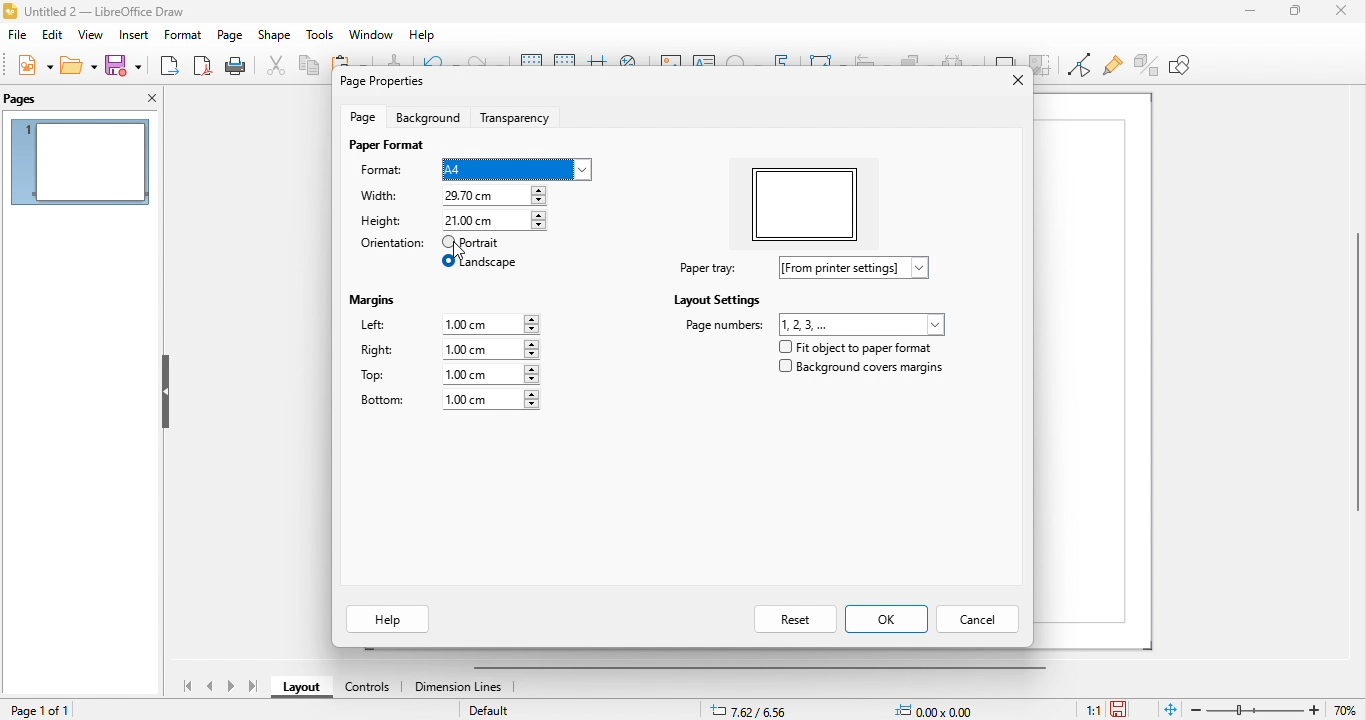 This screenshot has height=720, width=1366. Describe the element at coordinates (275, 36) in the screenshot. I see `shape` at that location.